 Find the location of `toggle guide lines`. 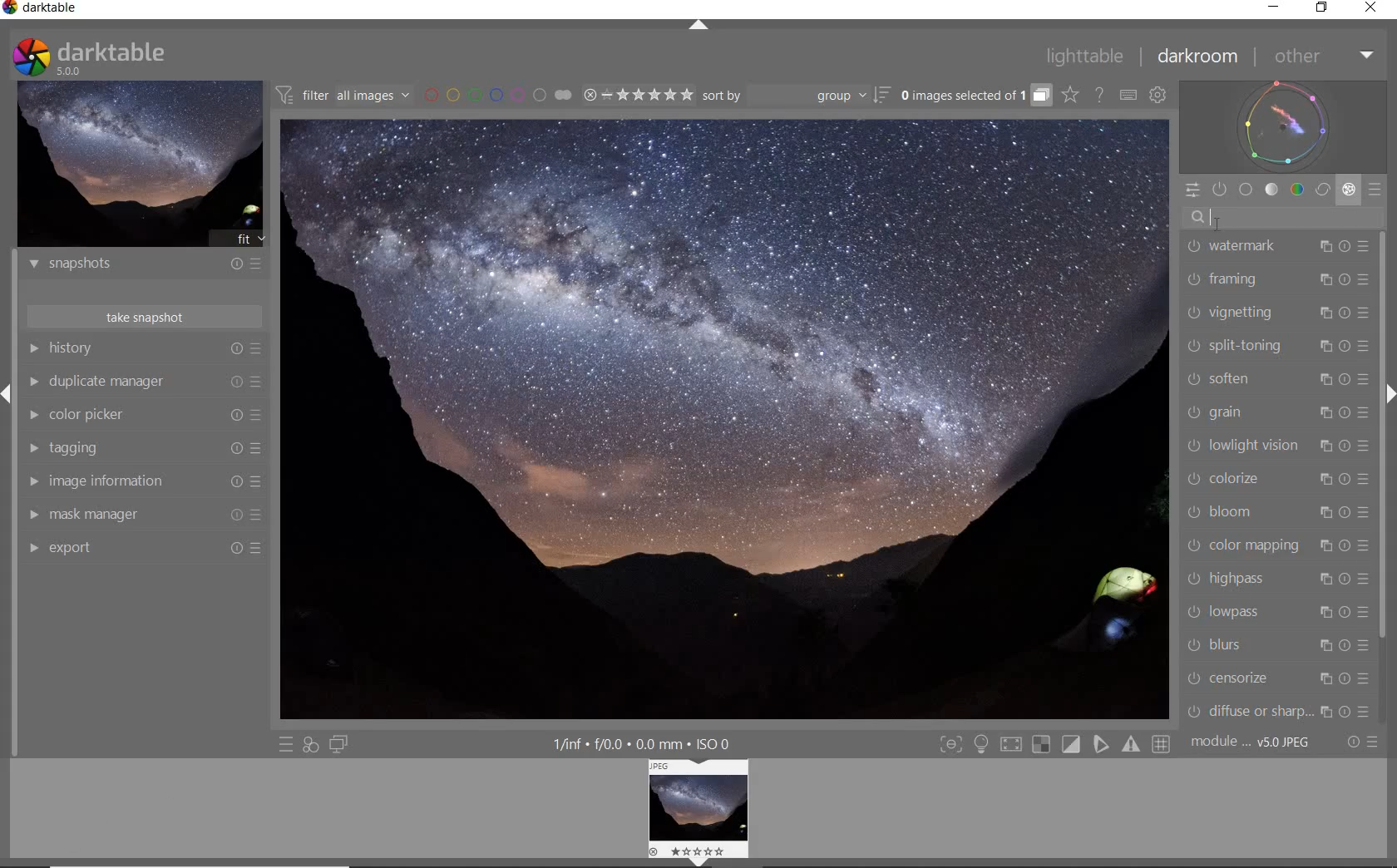

toggle guide lines is located at coordinates (1164, 744).